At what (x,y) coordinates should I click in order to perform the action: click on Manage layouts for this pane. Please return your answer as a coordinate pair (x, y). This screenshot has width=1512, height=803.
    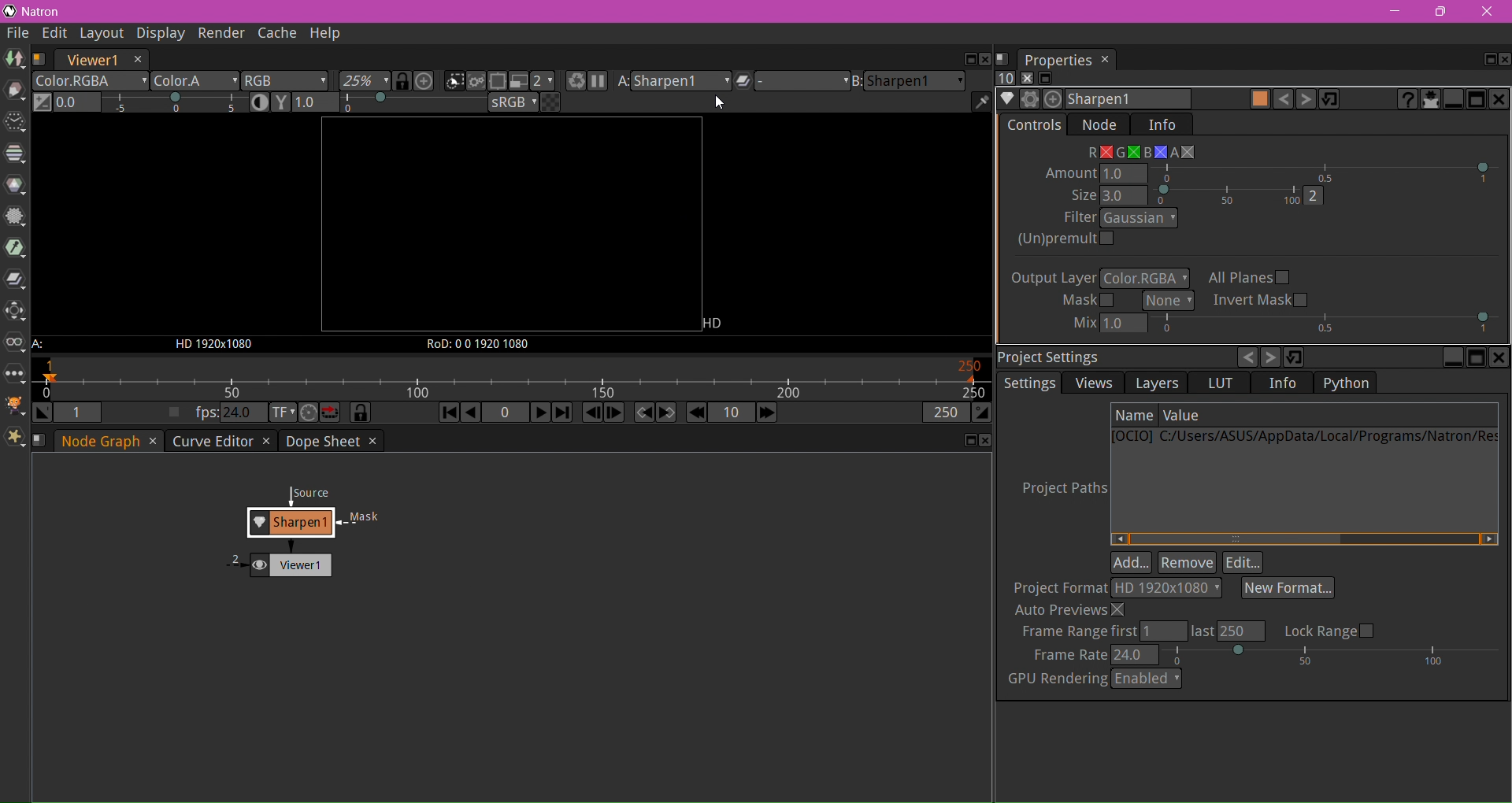
    Looking at the image, I should click on (40, 59).